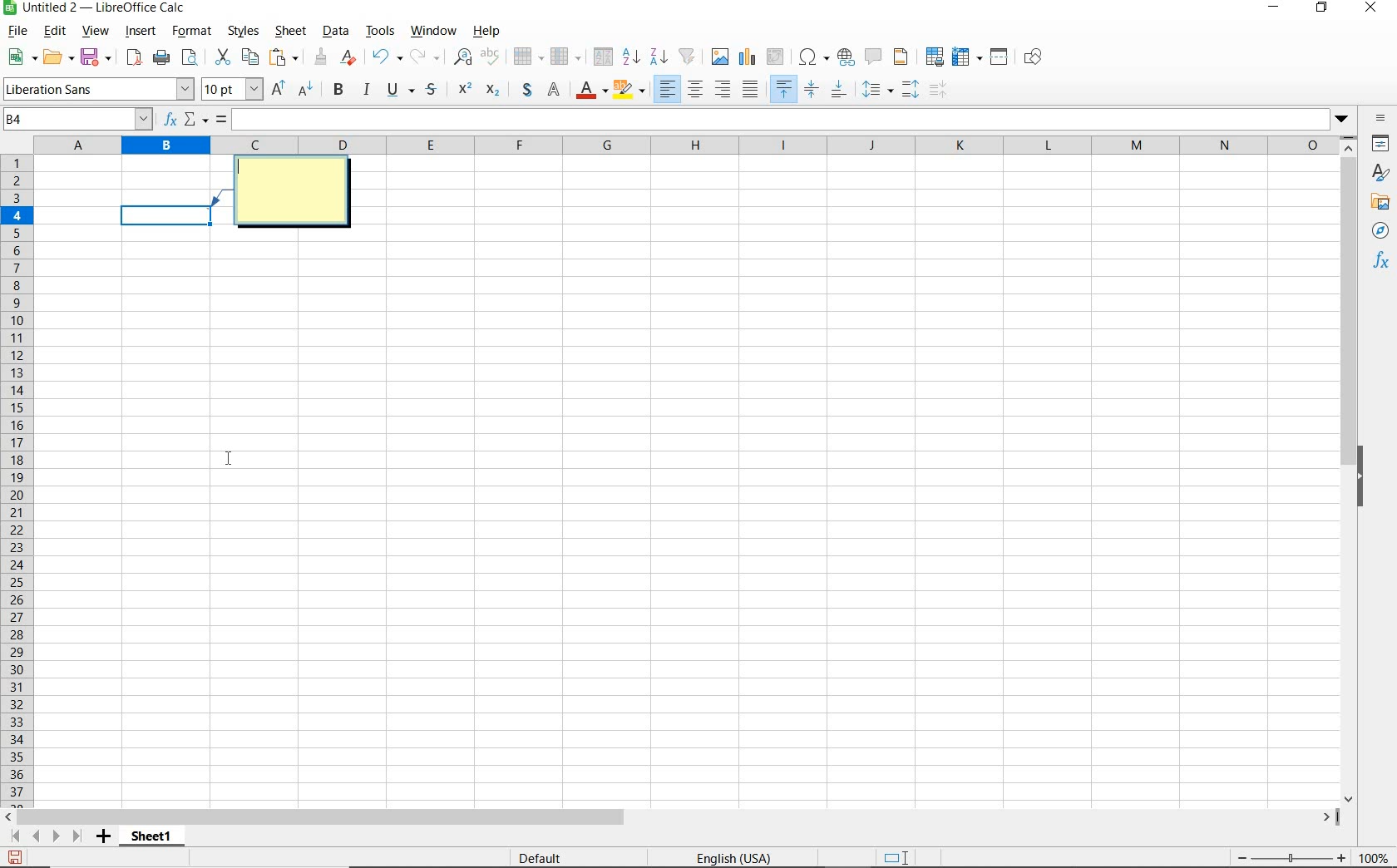 Image resolution: width=1397 pixels, height=868 pixels. I want to click on insert hyperlink, so click(846, 57).